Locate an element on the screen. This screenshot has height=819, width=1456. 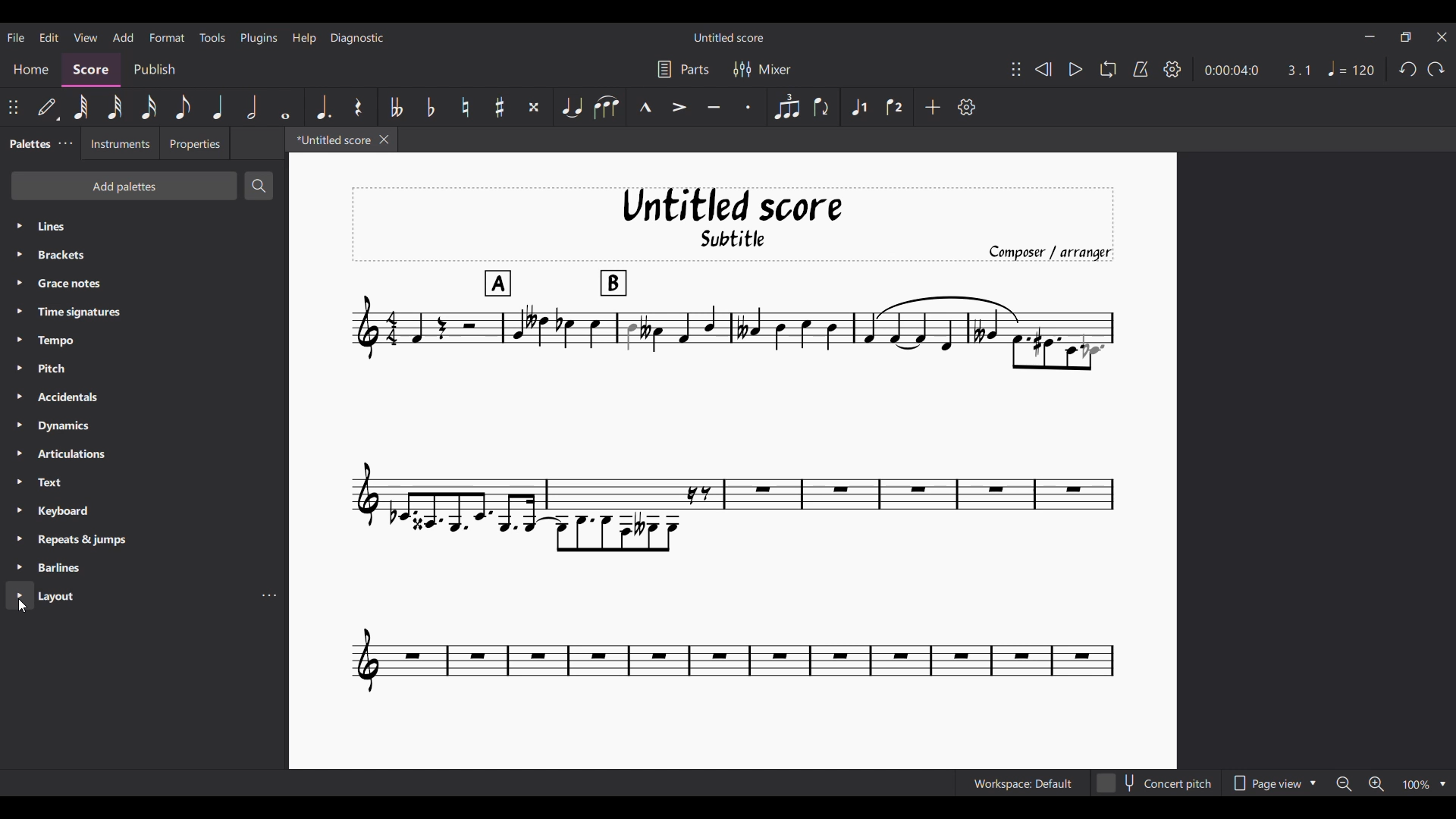
Layout palette settings is located at coordinates (269, 595).